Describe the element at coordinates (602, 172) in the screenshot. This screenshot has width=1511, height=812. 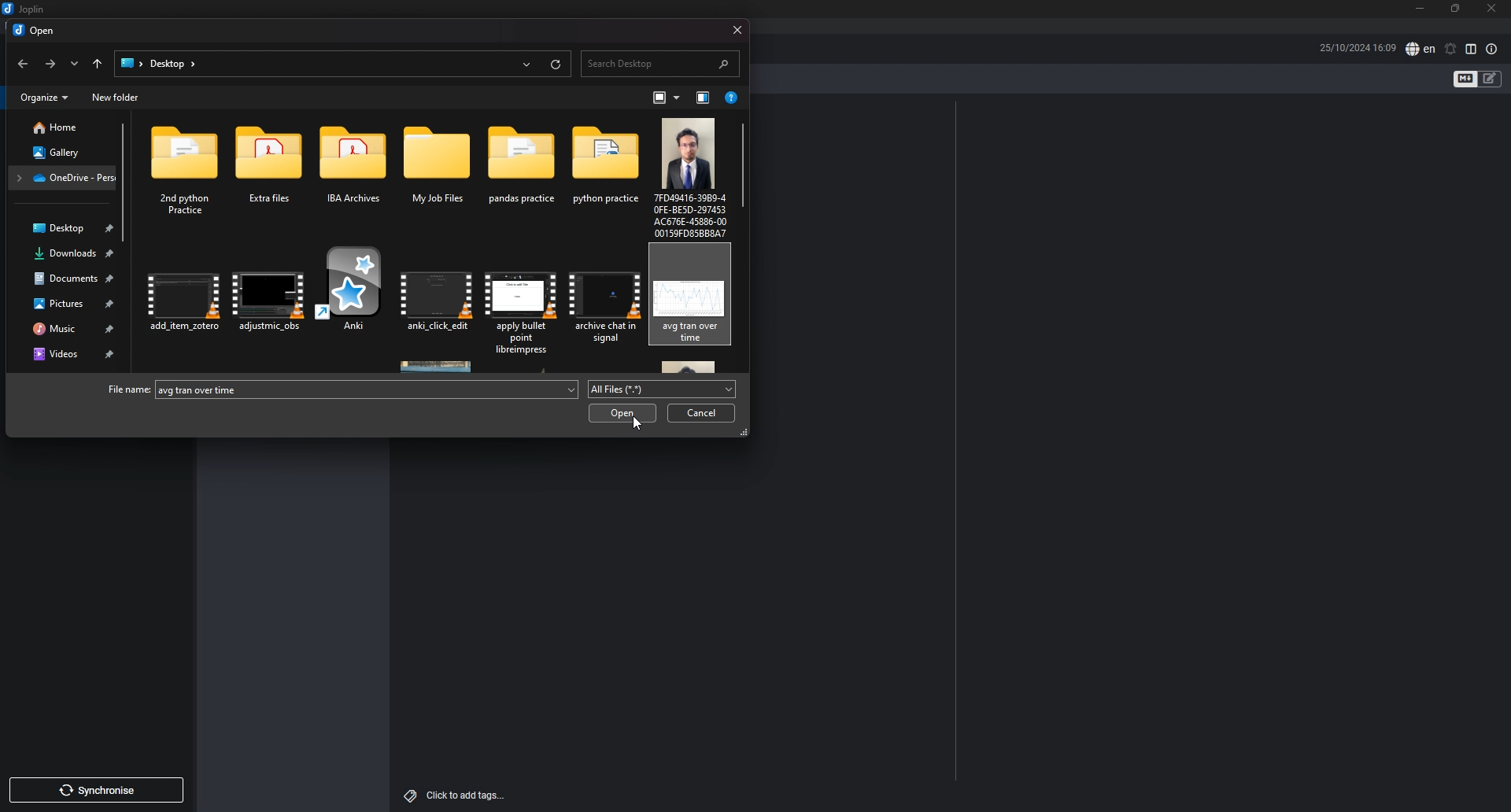
I see `Python practice` at that location.